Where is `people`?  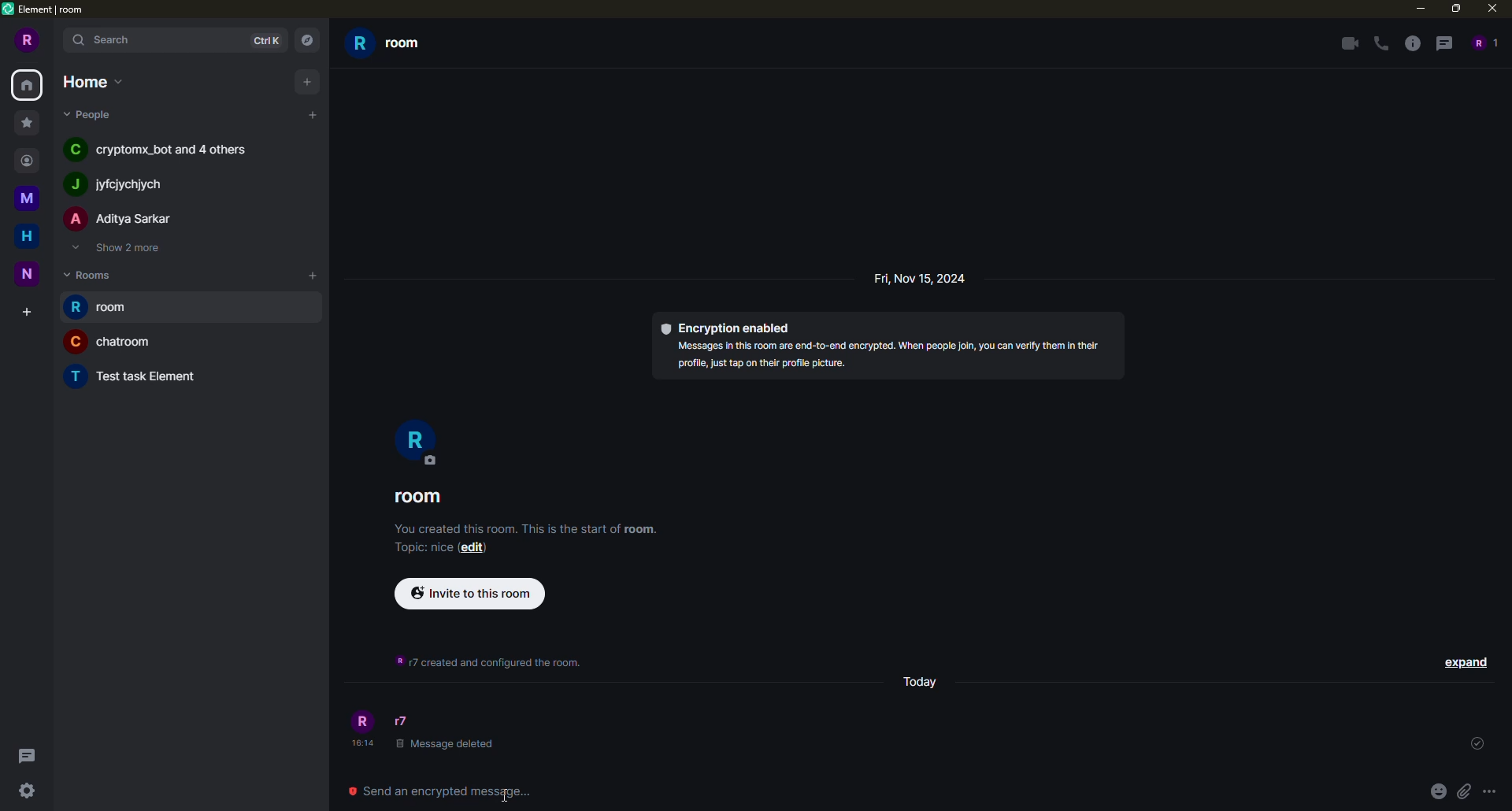
people is located at coordinates (161, 149).